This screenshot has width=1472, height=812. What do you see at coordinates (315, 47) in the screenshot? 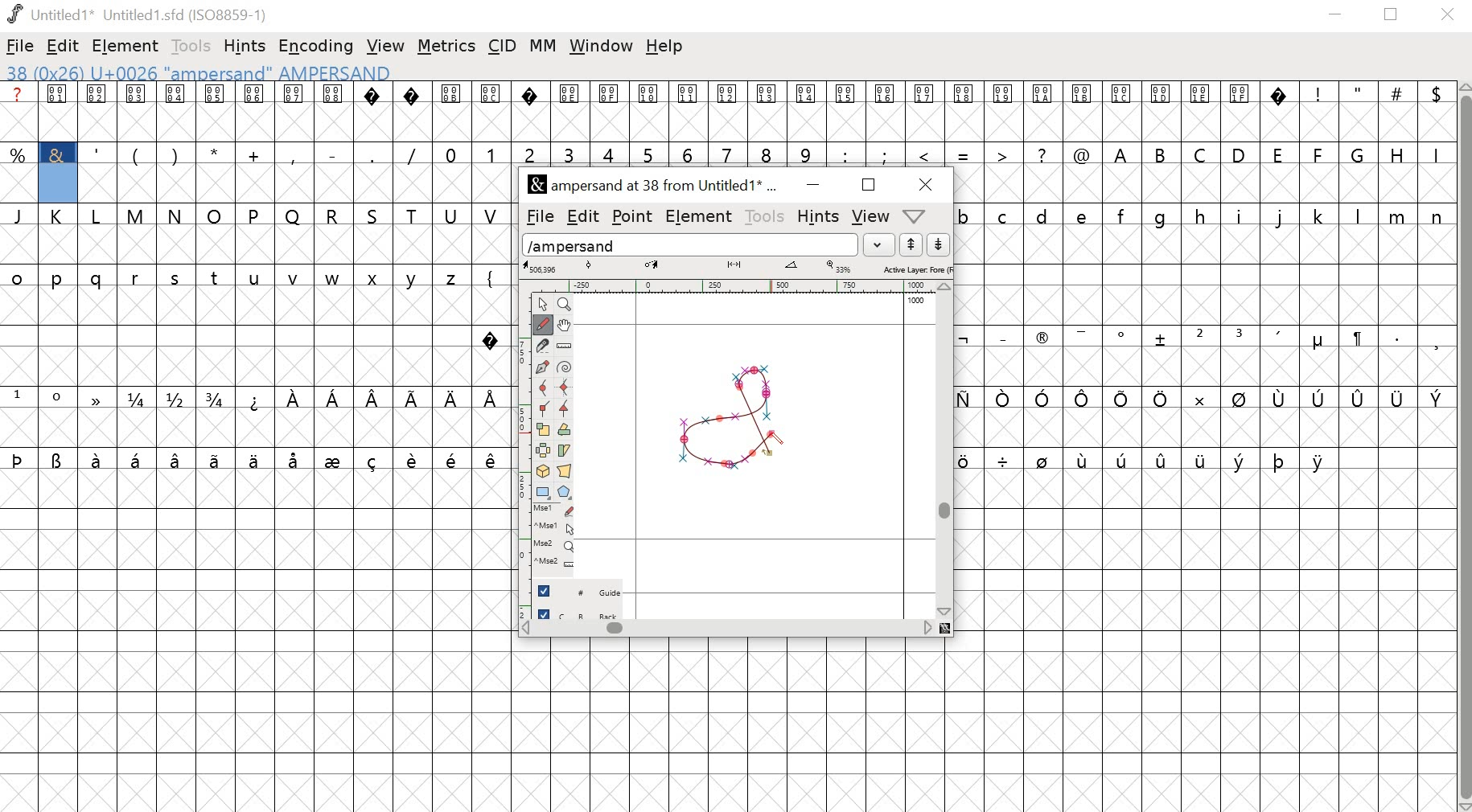
I see `encoding` at bounding box center [315, 47].